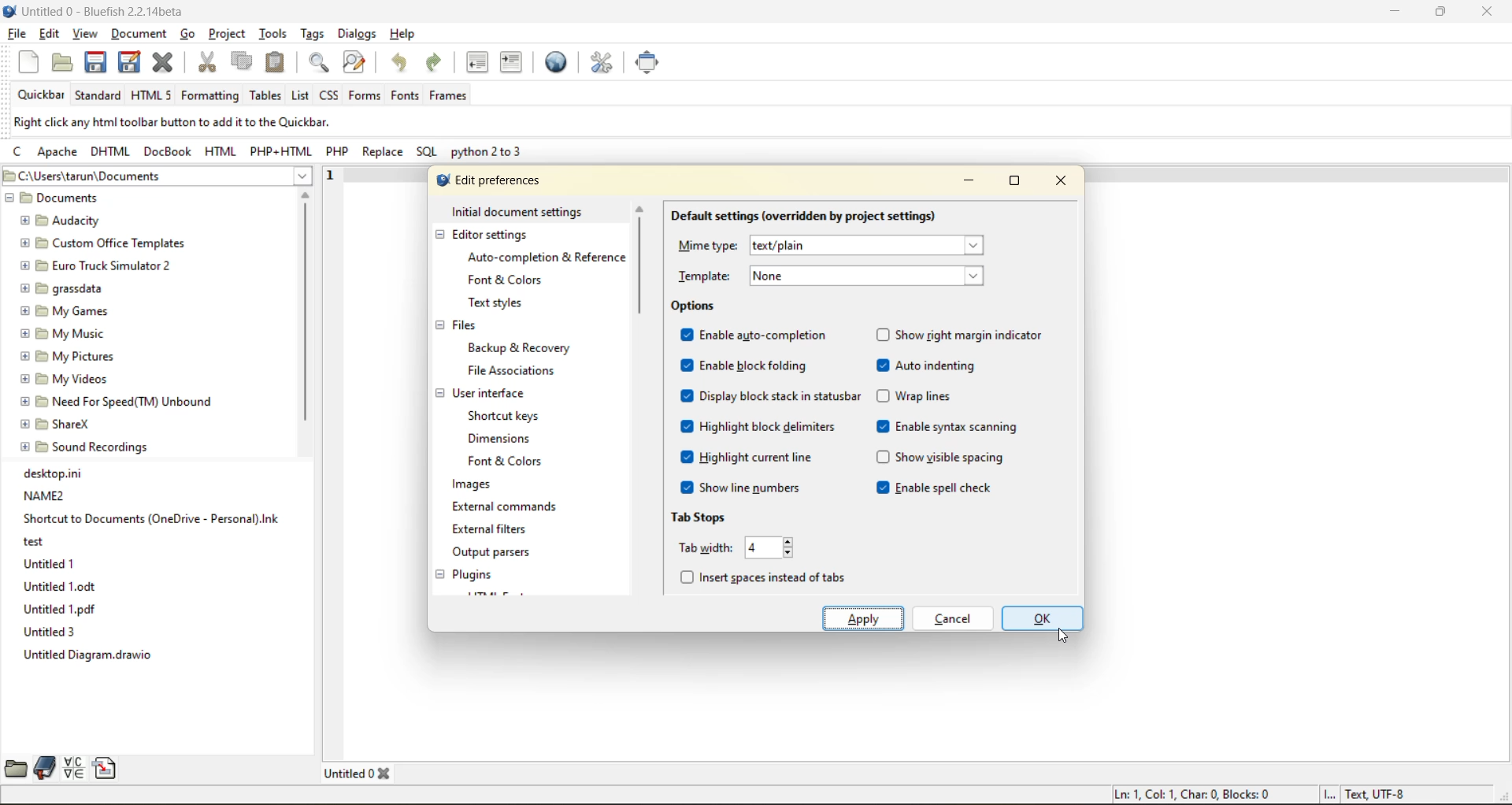 Image resolution: width=1512 pixels, height=805 pixels. Describe the element at coordinates (92, 62) in the screenshot. I see `save` at that location.